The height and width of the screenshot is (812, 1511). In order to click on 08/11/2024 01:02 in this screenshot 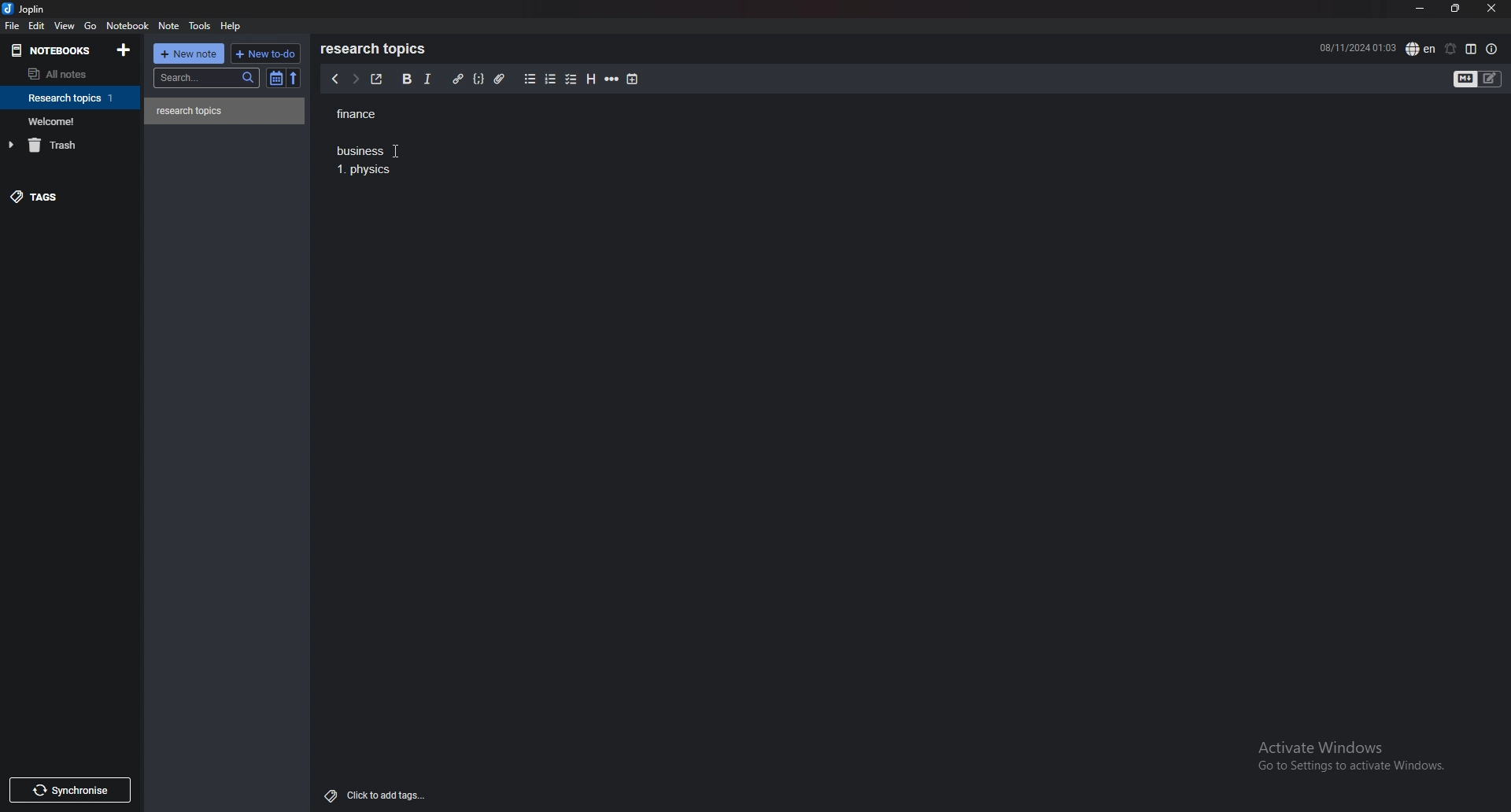, I will do `click(1357, 47)`.